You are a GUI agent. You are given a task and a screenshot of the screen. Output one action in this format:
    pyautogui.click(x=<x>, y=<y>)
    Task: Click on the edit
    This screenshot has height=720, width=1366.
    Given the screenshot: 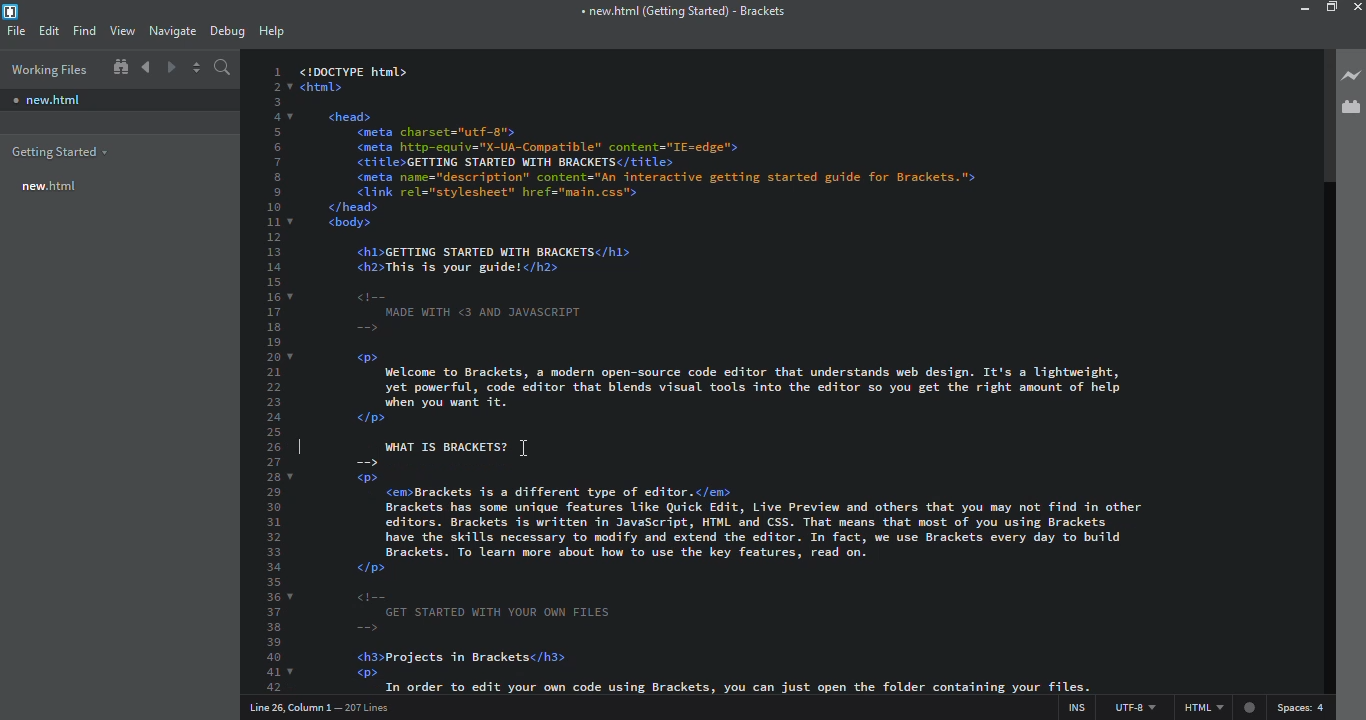 What is the action you would take?
    pyautogui.click(x=49, y=31)
    